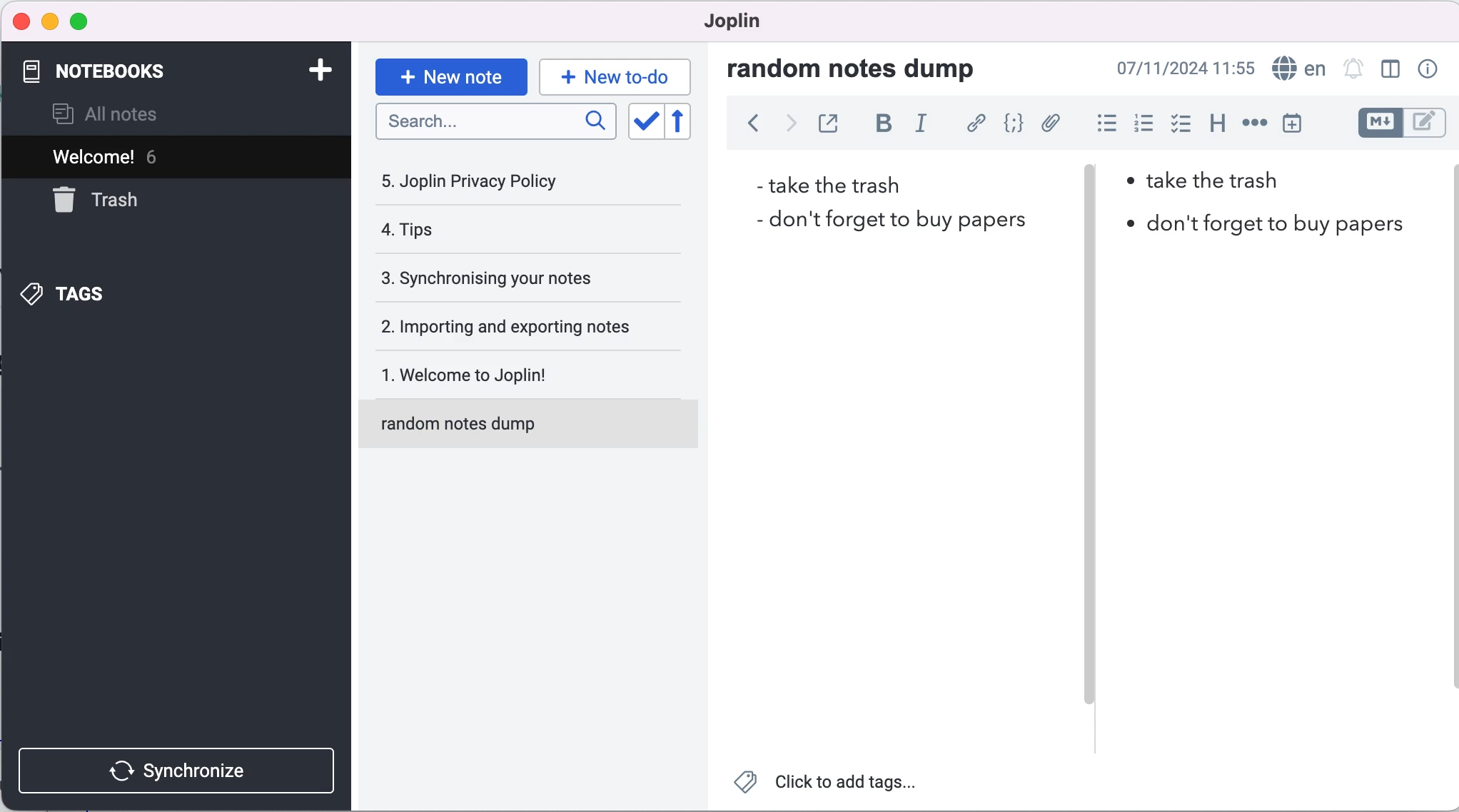 This screenshot has height=812, width=1459. What do you see at coordinates (1177, 123) in the screenshot?
I see `check box` at bounding box center [1177, 123].